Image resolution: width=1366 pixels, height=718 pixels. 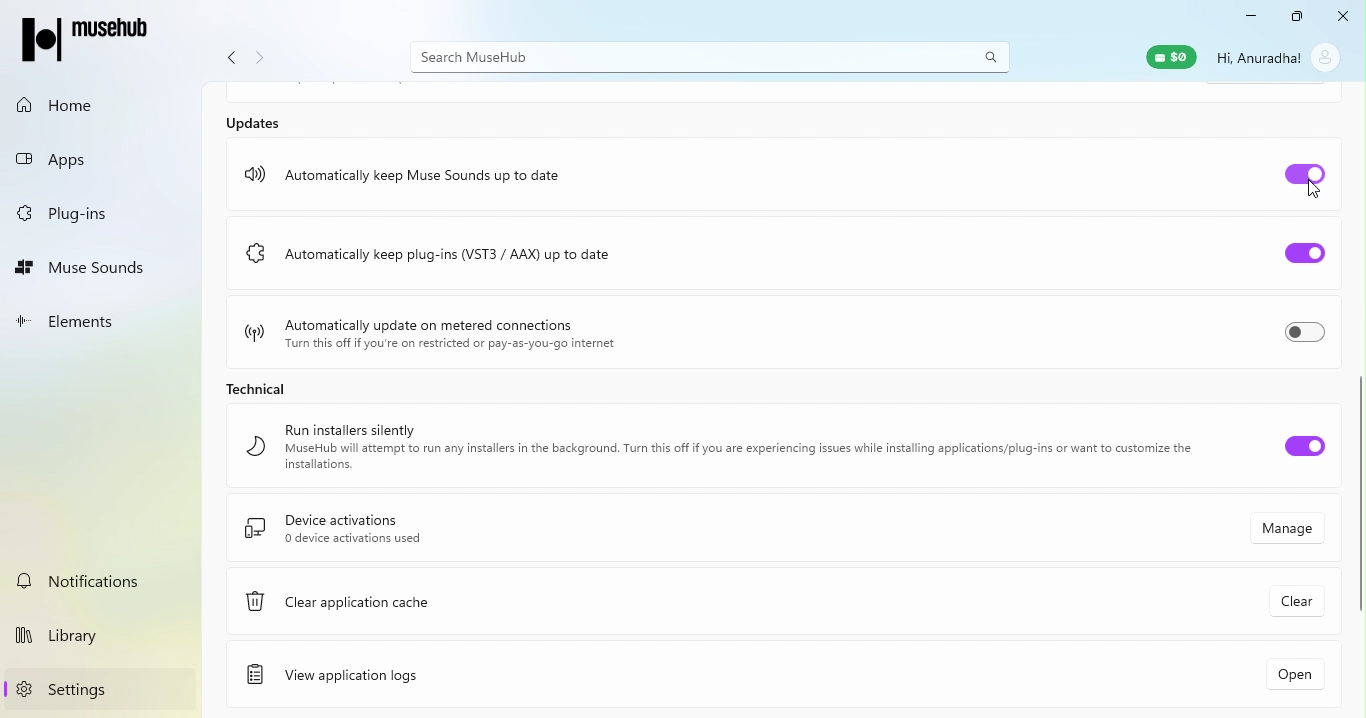 What do you see at coordinates (1301, 452) in the screenshot?
I see `Toggle` at bounding box center [1301, 452].